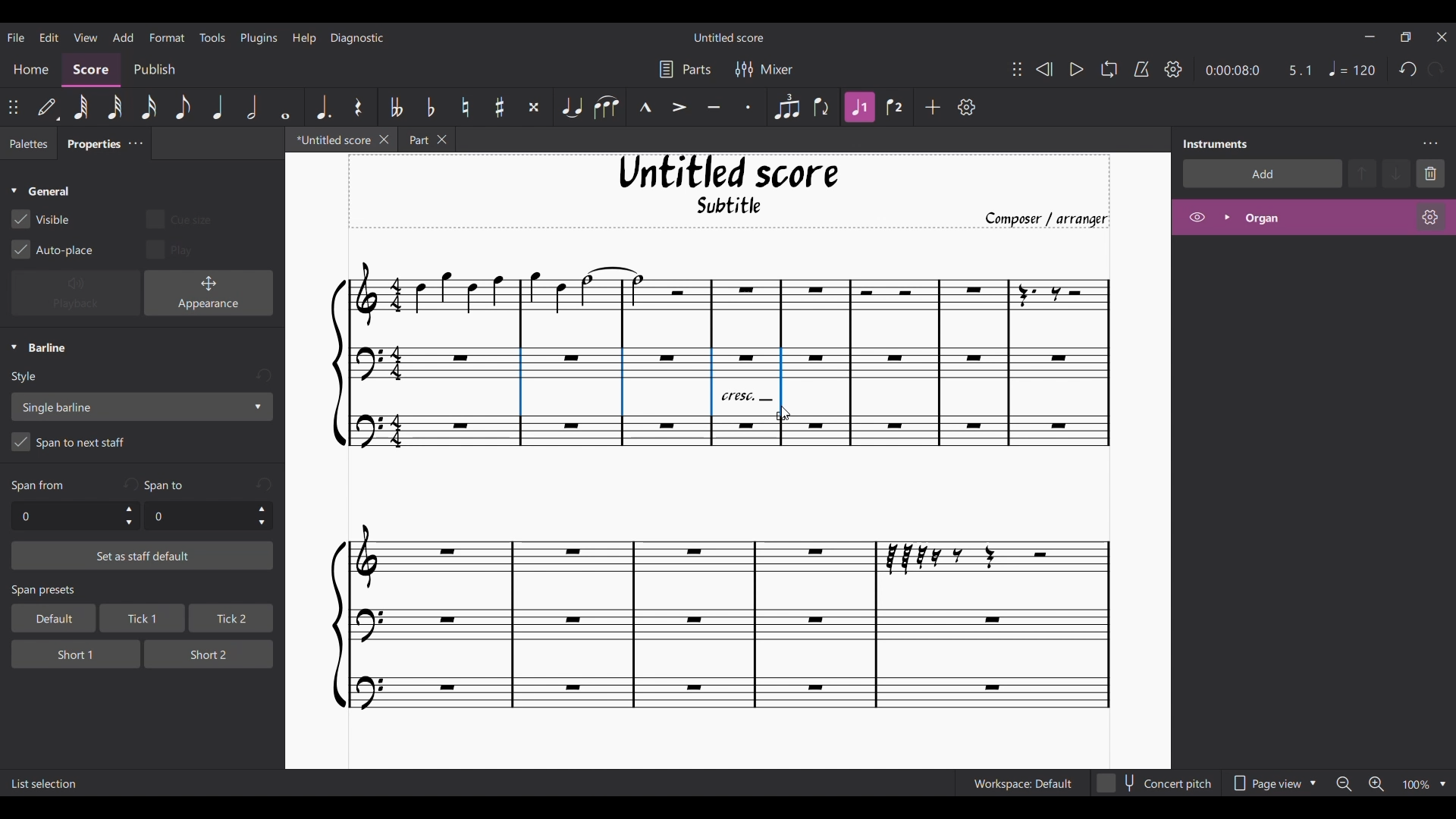 Image resolution: width=1456 pixels, height=819 pixels. What do you see at coordinates (178, 218) in the screenshot?
I see `Toggle for Cue size` at bounding box center [178, 218].